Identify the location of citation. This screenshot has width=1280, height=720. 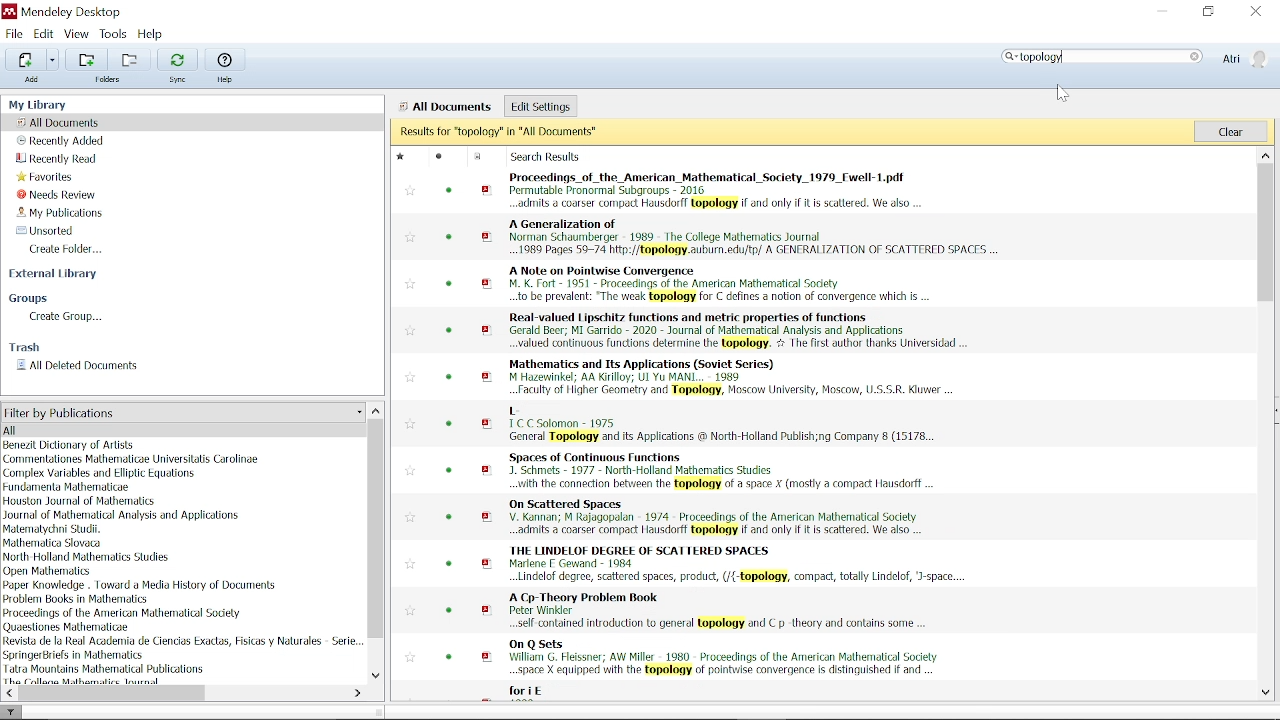
(738, 375).